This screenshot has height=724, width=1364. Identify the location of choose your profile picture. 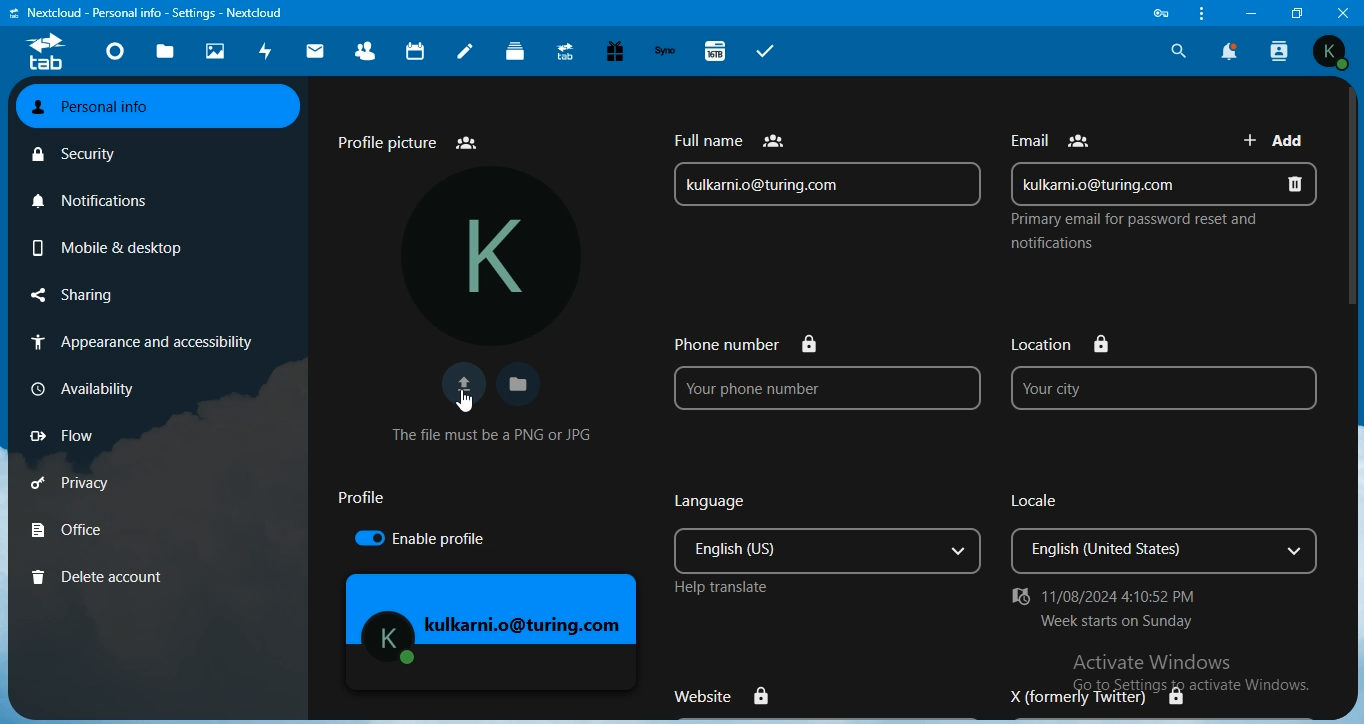
(527, 384).